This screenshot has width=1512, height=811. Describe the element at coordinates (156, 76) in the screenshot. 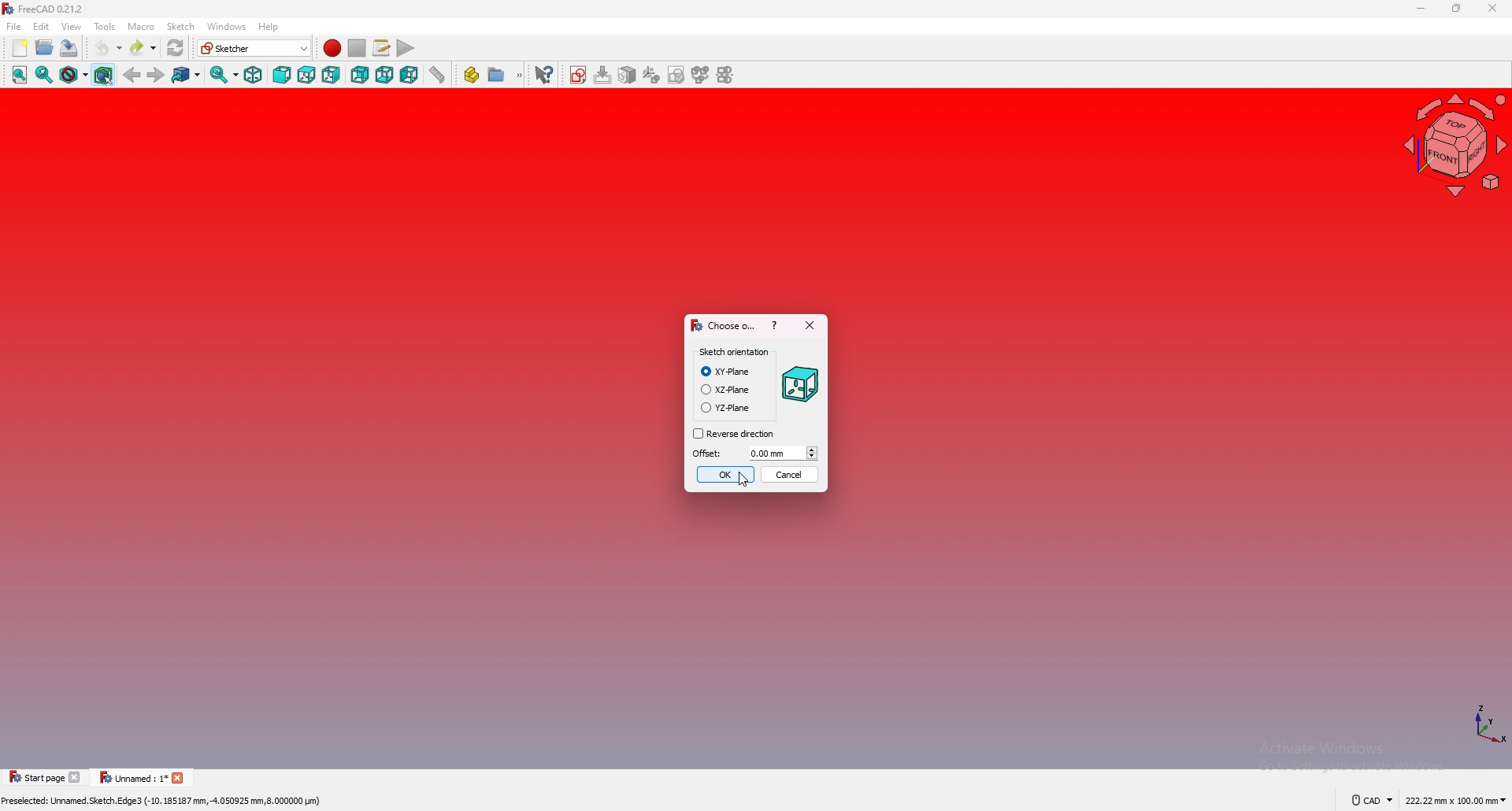

I see `forward` at that location.